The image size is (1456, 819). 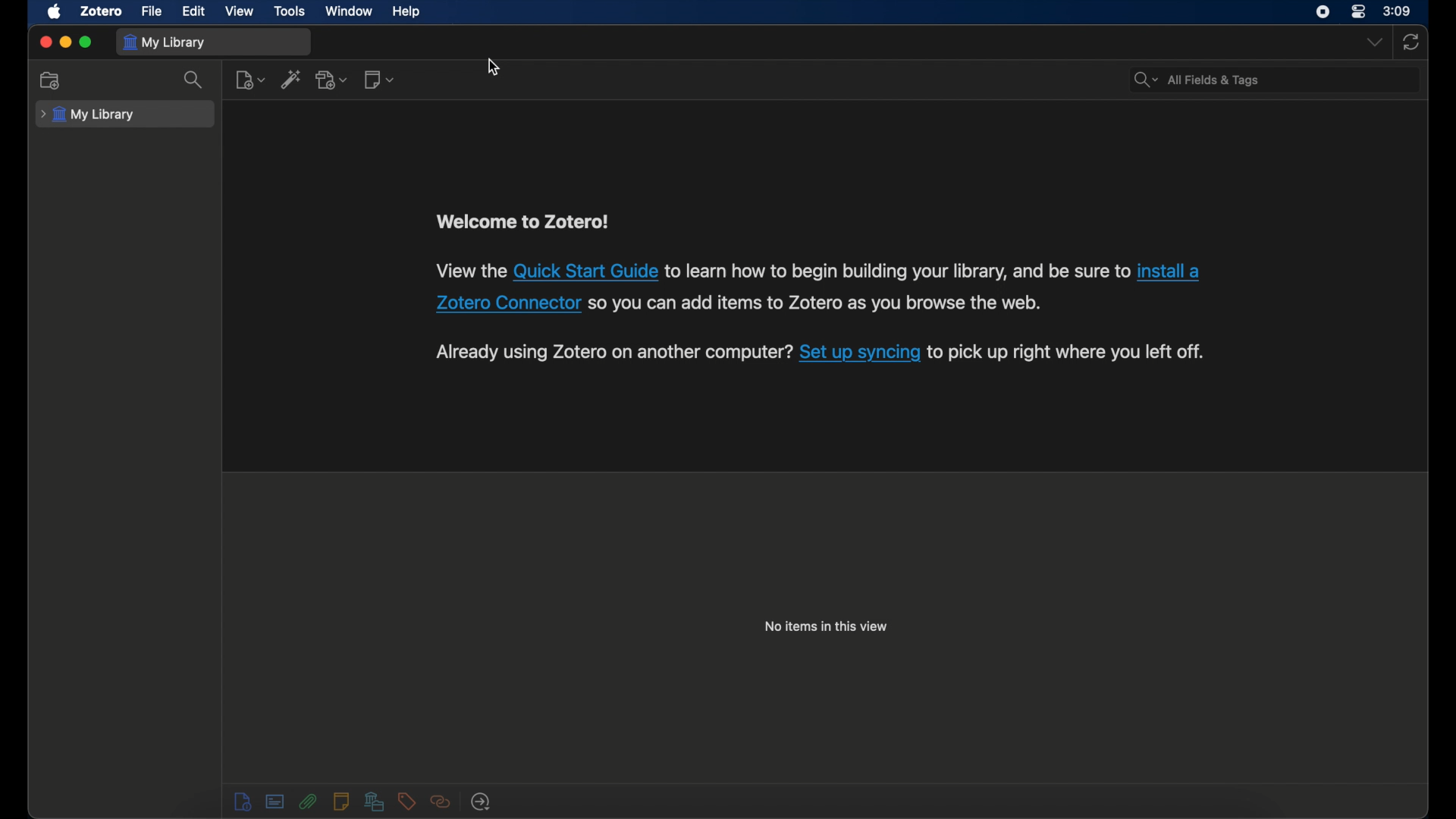 I want to click on my library, so click(x=165, y=42).